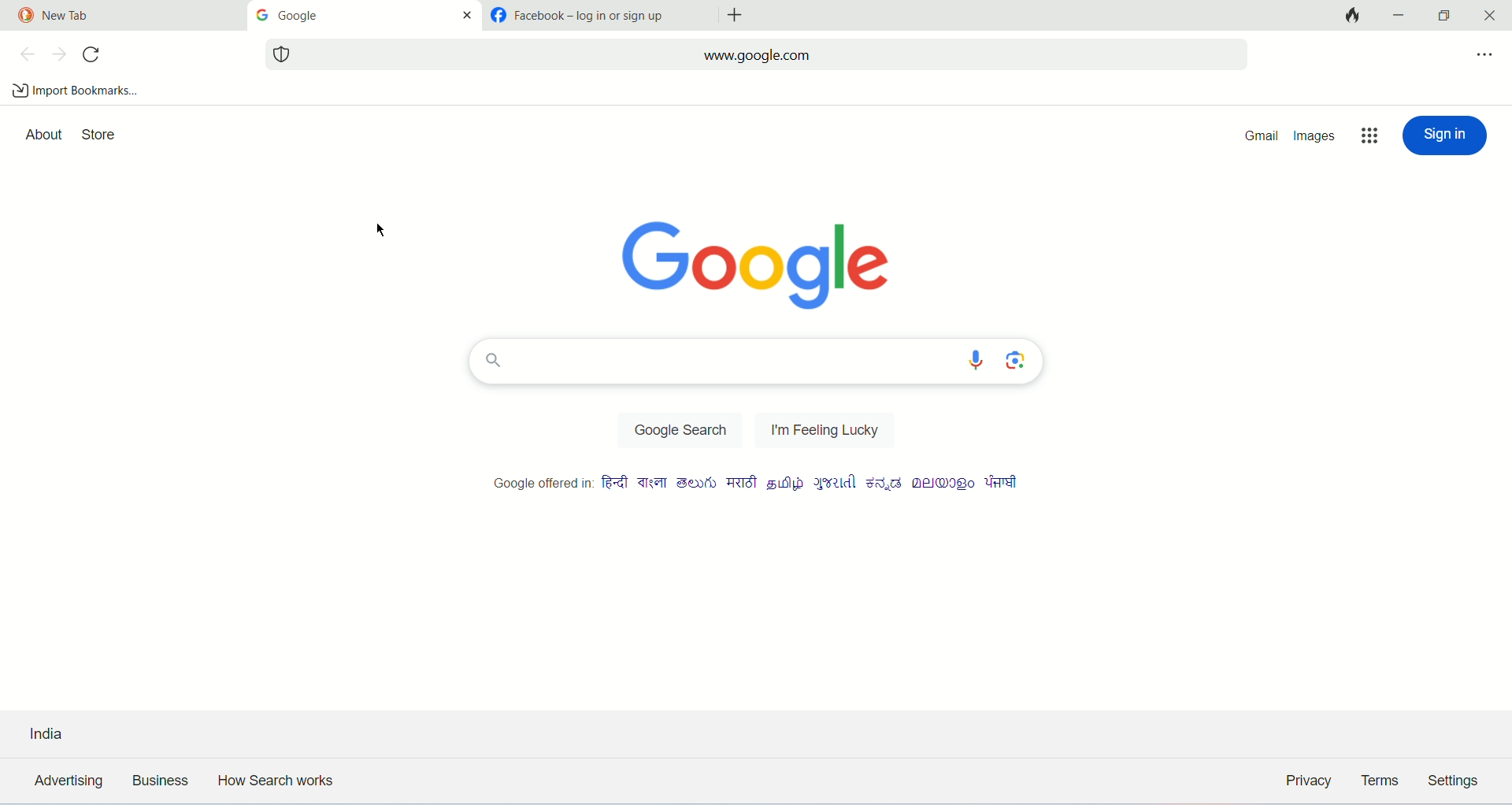 The width and height of the screenshot is (1512, 805). I want to click on add tabs, so click(735, 17).